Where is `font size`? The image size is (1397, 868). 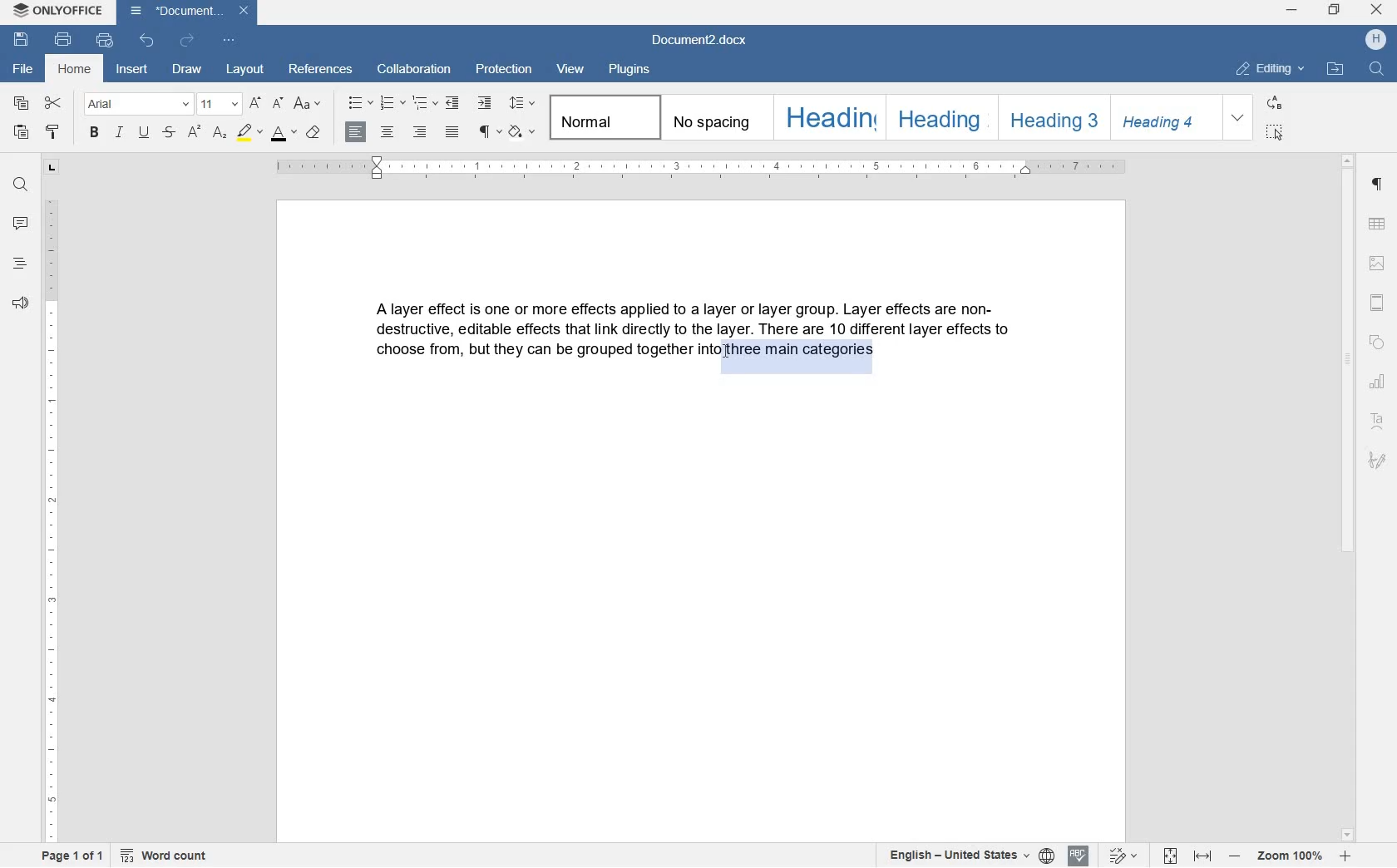 font size is located at coordinates (218, 103).